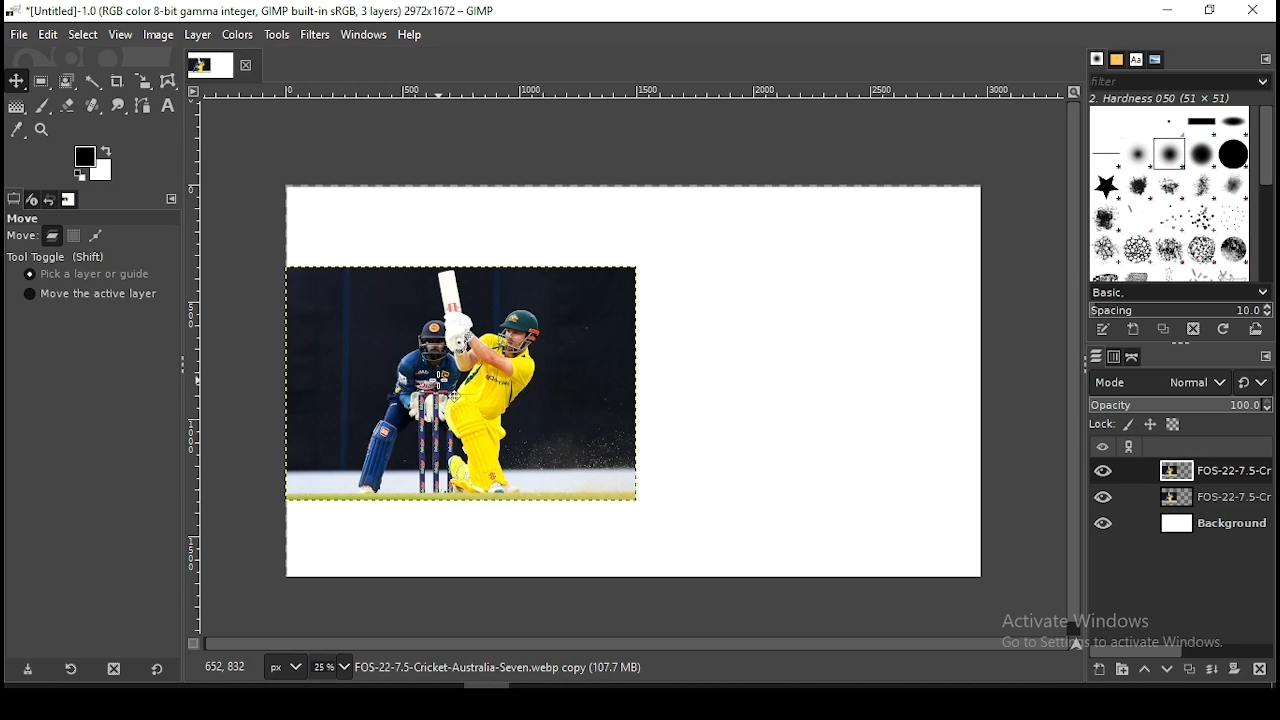 This screenshot has width=1280, height=720. I want to click on channels, so click(1112, 358).